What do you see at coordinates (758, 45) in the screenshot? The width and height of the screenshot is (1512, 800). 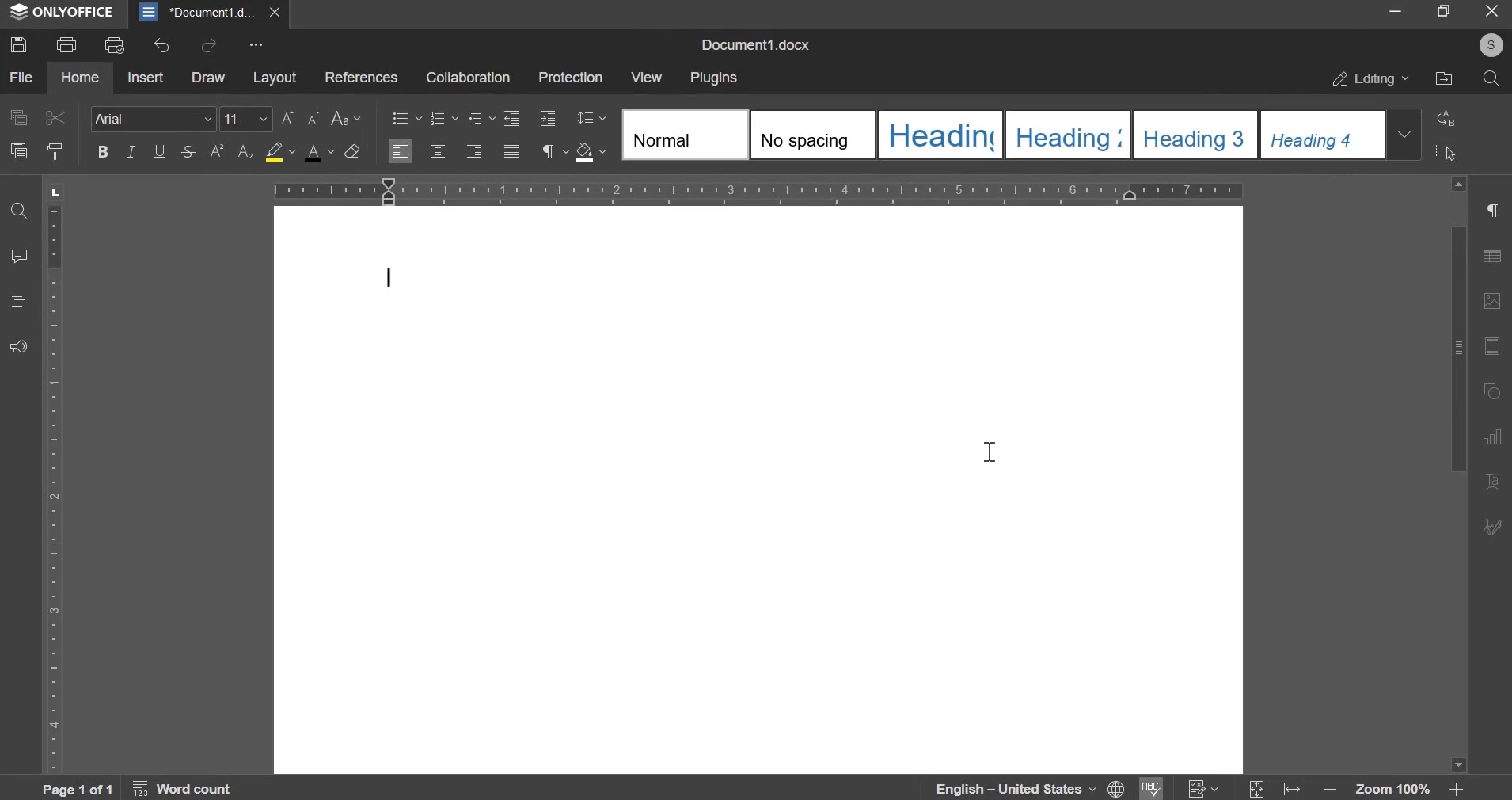 I see `Document1.docx` at bounding box center [758, 45].